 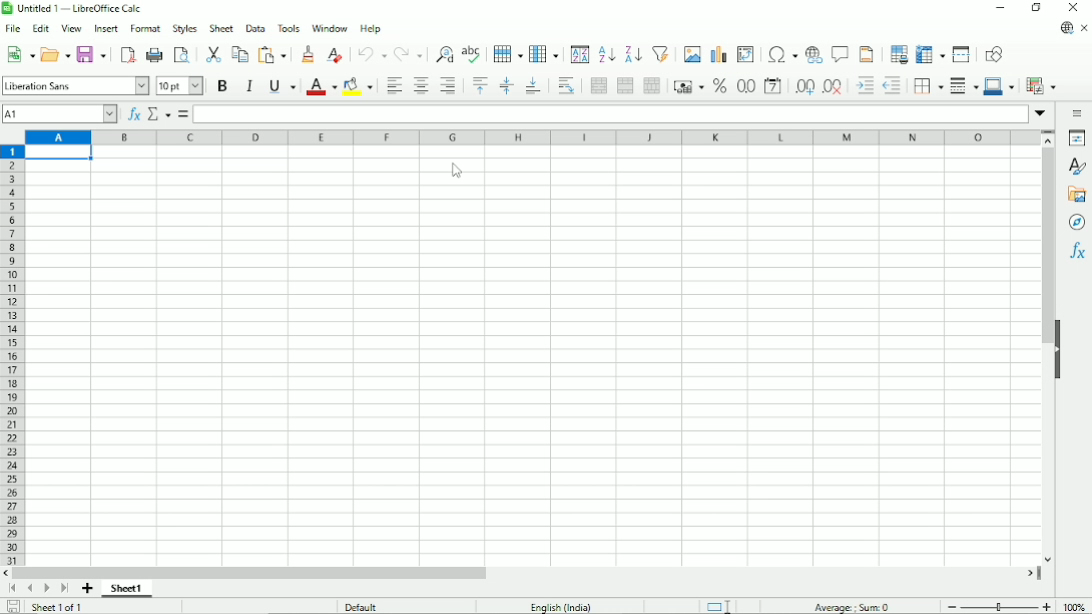 What do you see at coordinates (91, 55) in the screenshot?
I see `Save` at bounding box center [91, 55].